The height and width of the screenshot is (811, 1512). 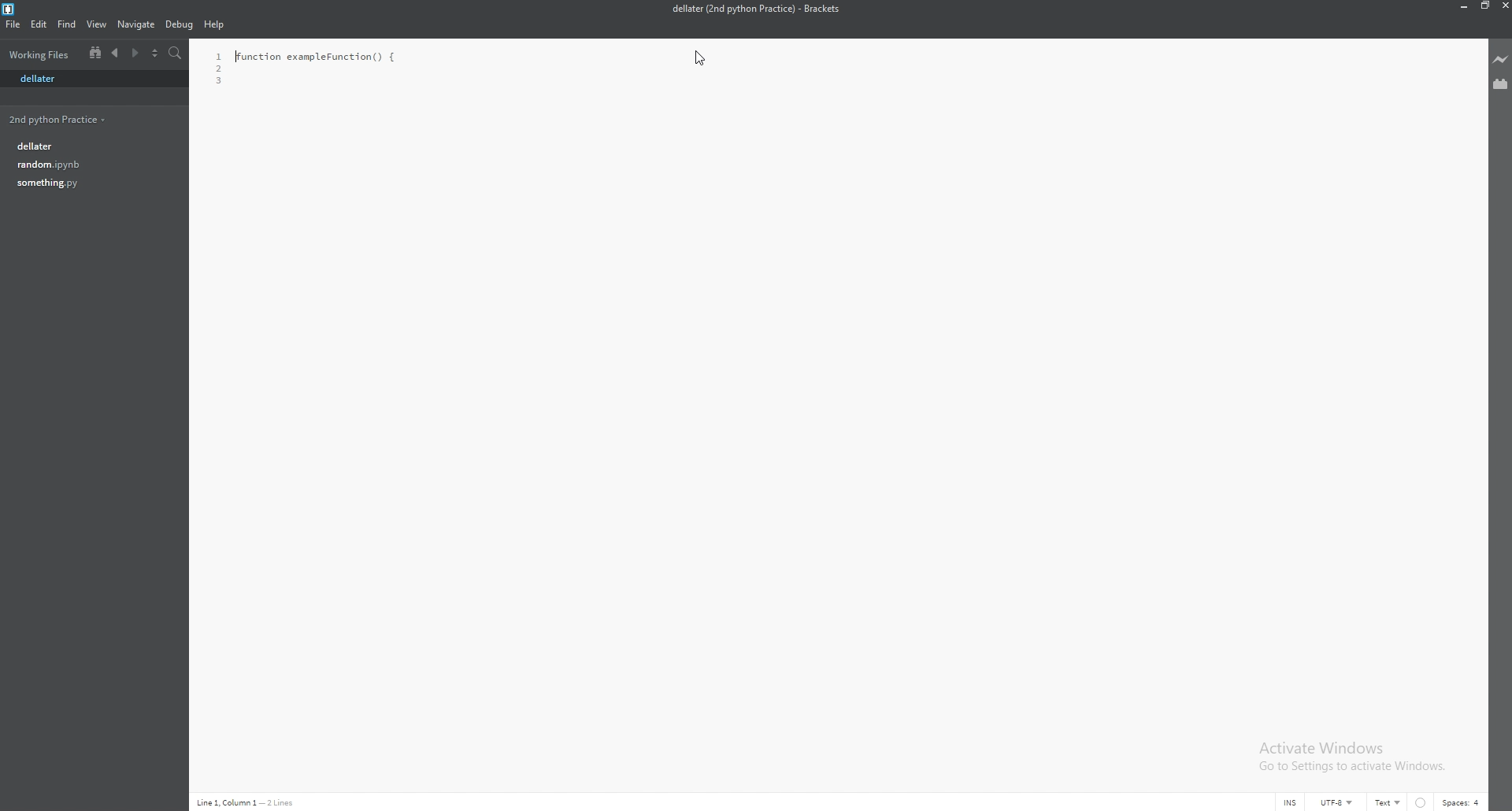 I want to click on spaces: 4, so click(x=1462, y=802).